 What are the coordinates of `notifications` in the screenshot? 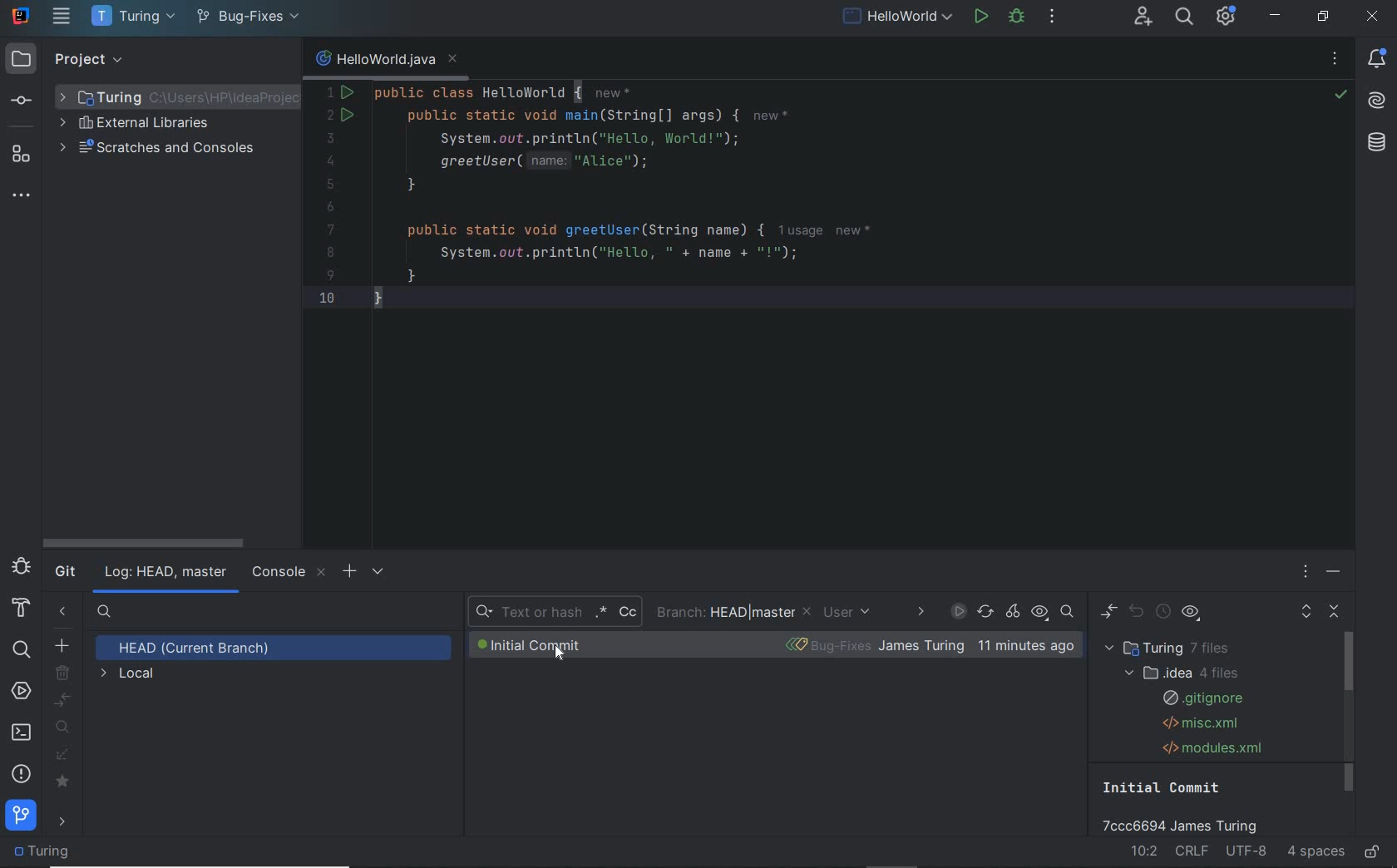 It's located at (1378, 60).